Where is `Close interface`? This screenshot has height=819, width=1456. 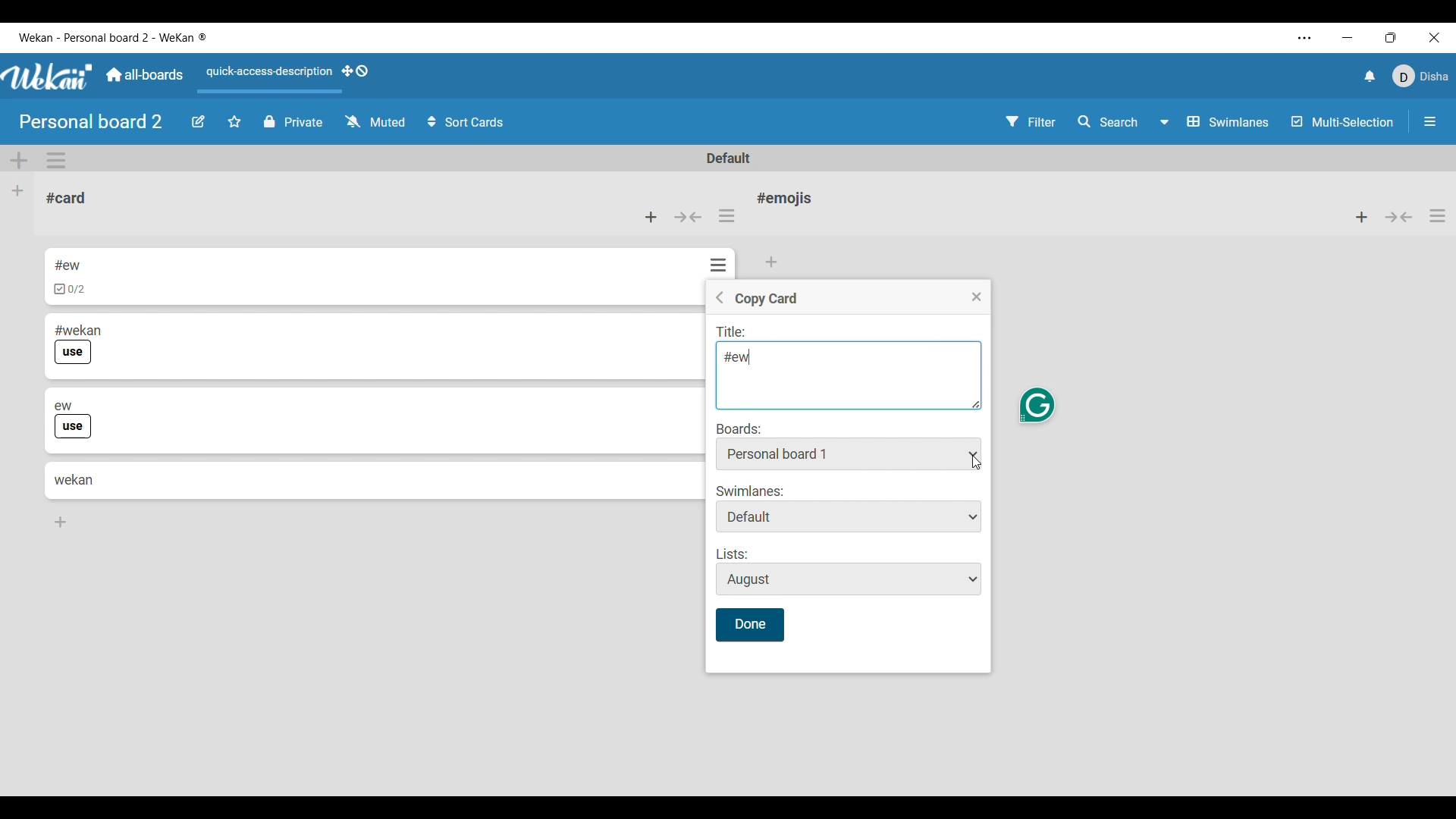
Close interface is located at coordinates (1435, 37).